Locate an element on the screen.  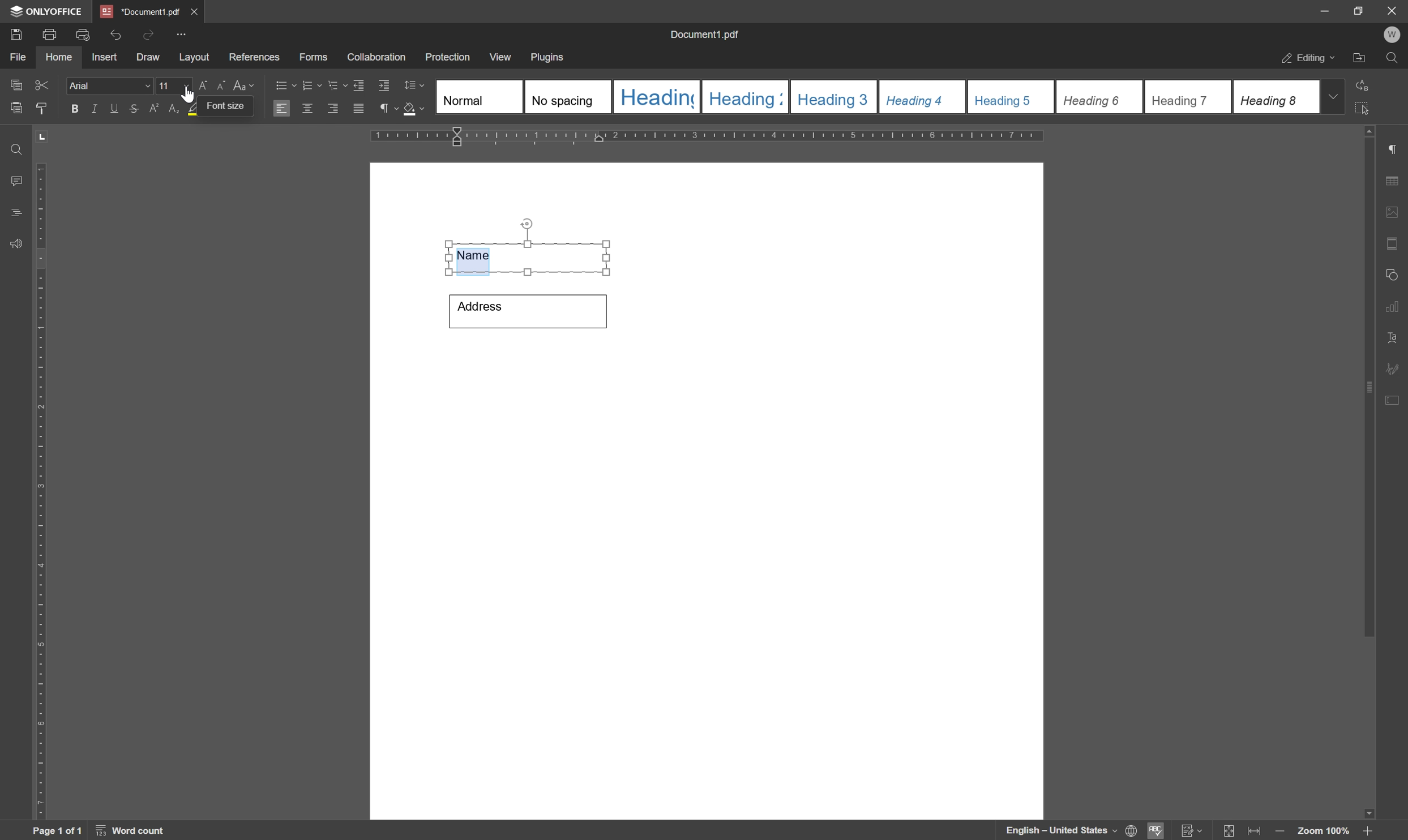
page 1 of 1 is located at coordinates (57, 831).